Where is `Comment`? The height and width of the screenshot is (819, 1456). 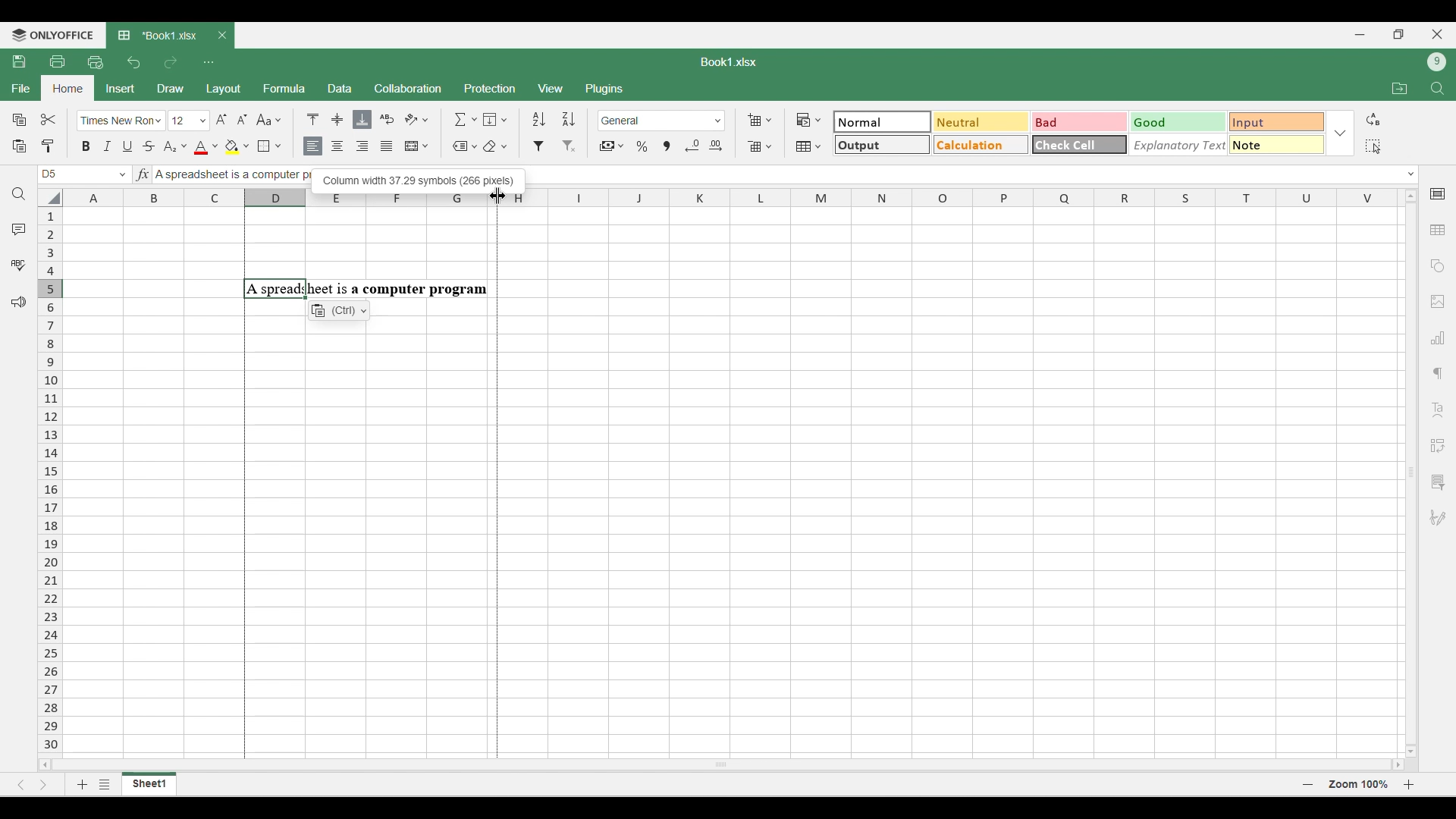
Comment is located at coordinates (19, 229).